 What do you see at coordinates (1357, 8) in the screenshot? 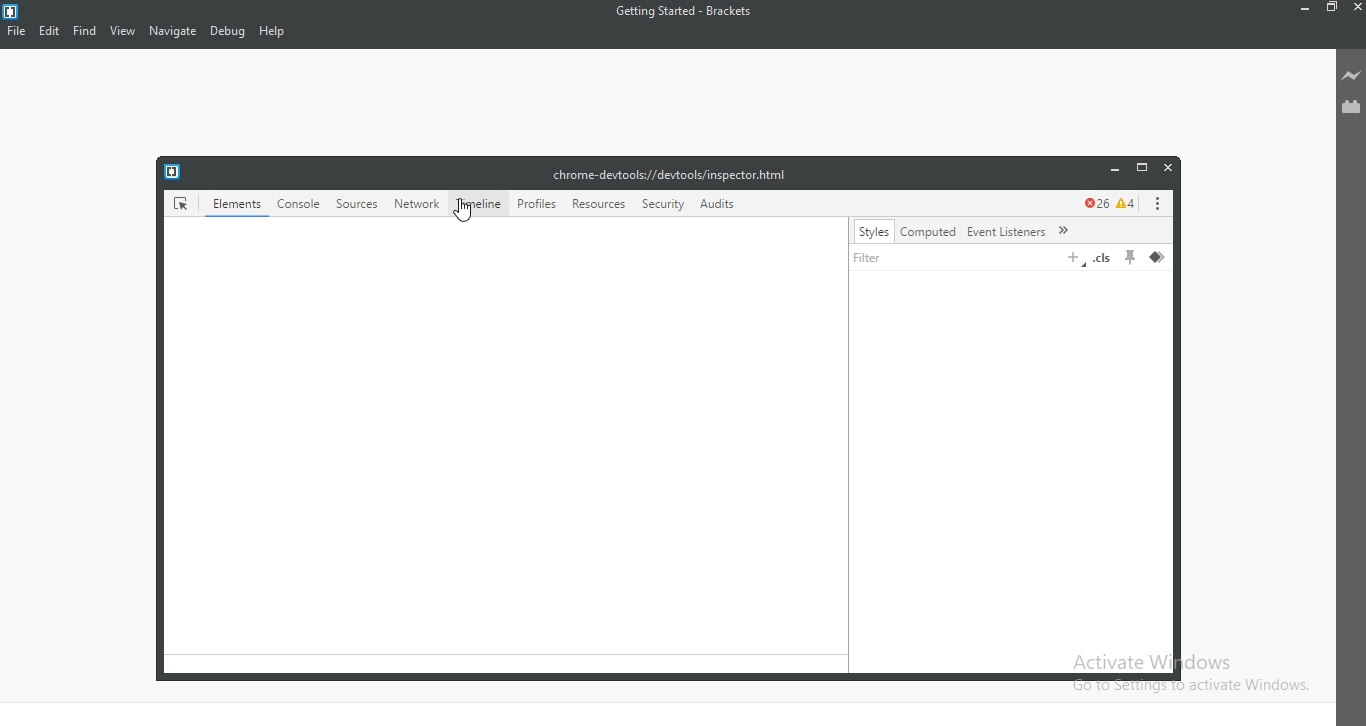
I see `Close` at bounding box center [1357, 8].